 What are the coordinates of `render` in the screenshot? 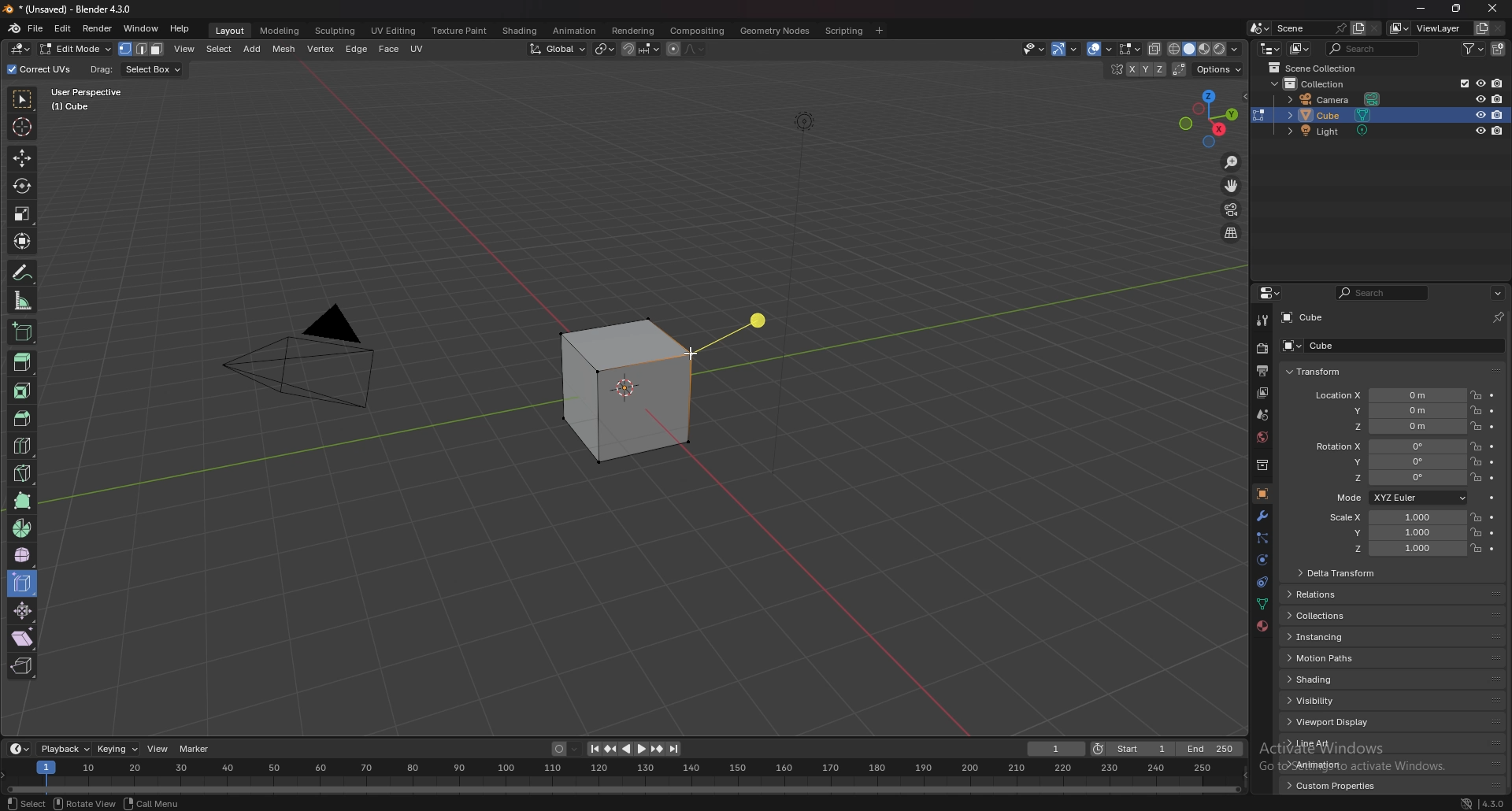 It's located at (1261, 349).